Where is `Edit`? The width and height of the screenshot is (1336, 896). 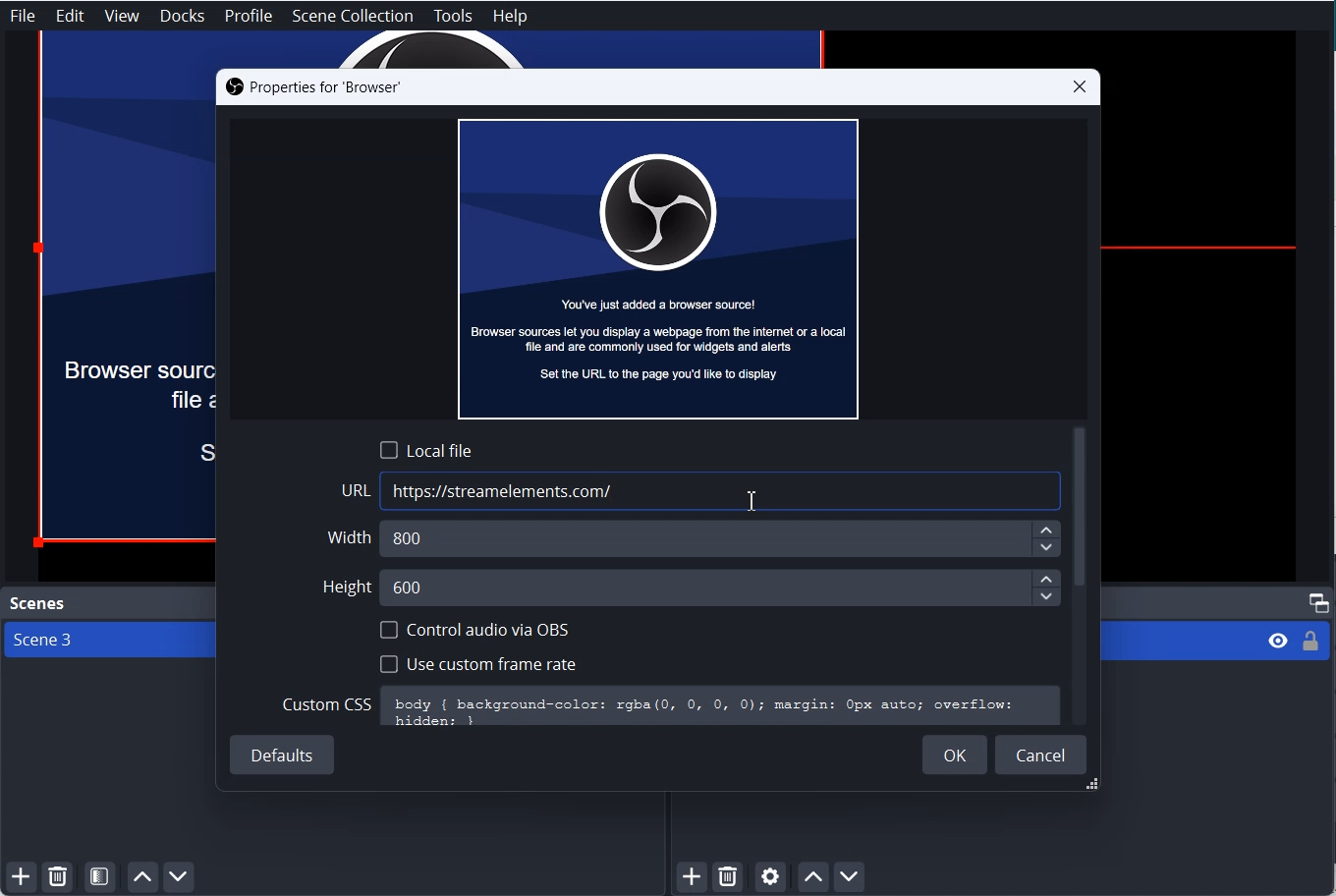
Edit is located at coordinates (71, 16).